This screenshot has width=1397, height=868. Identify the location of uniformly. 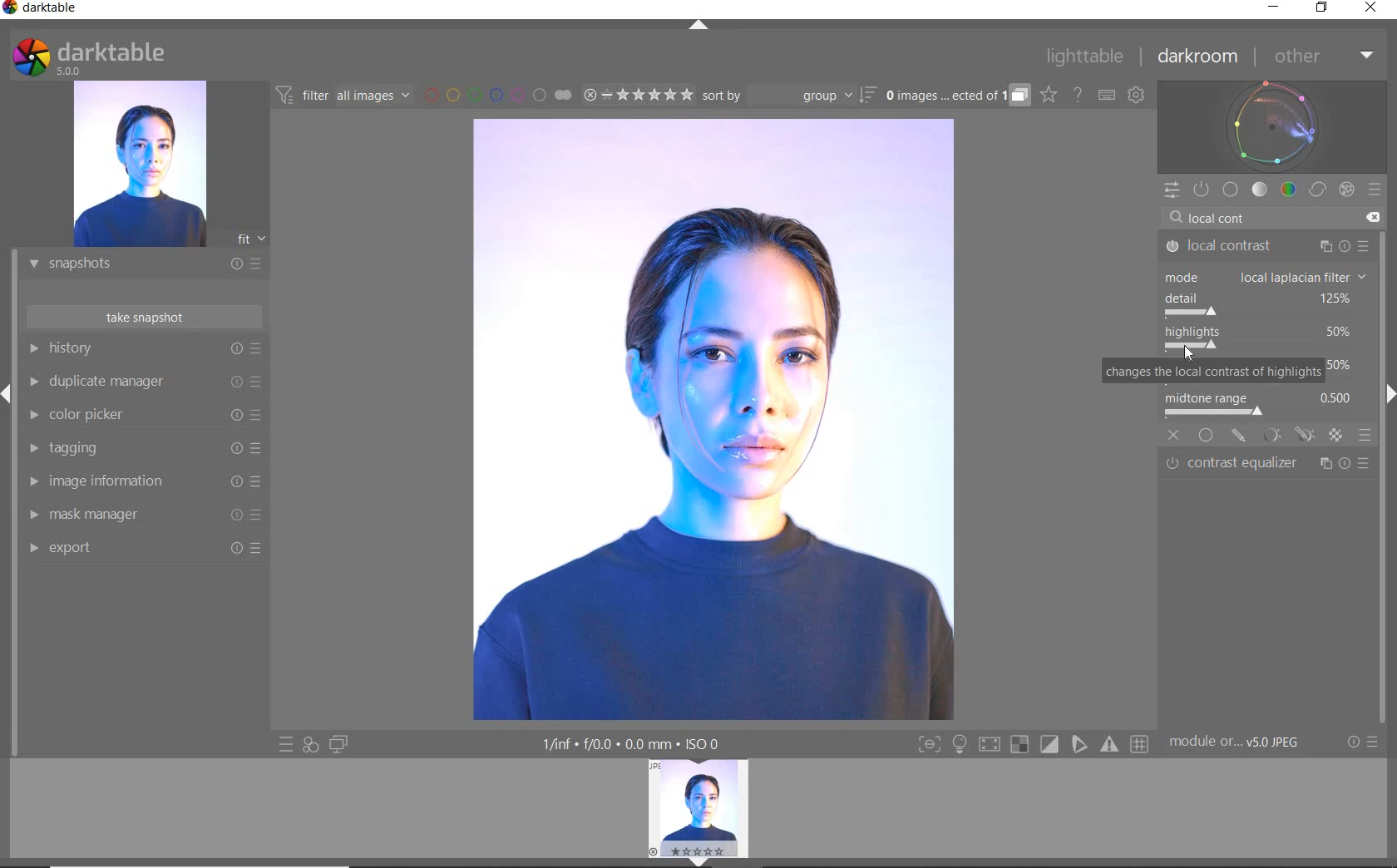
(1206, 435).